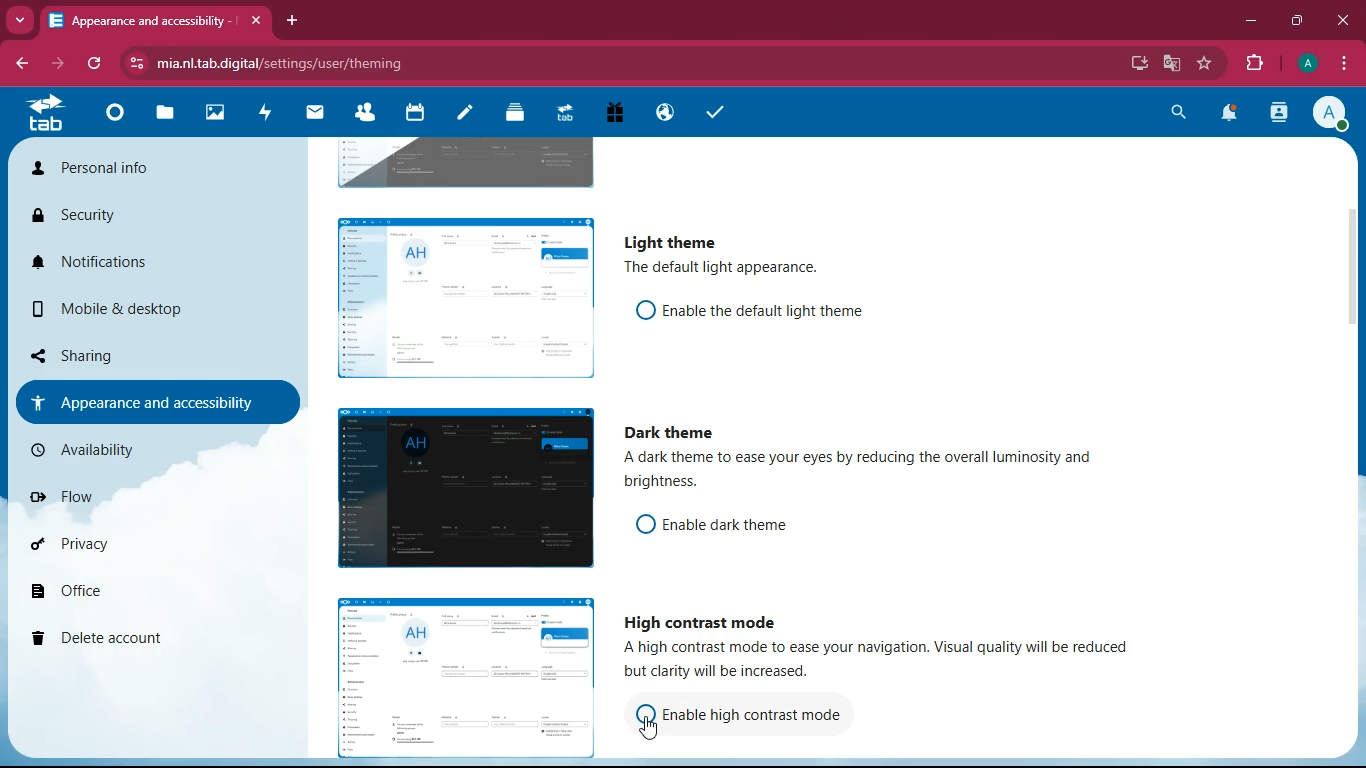  Describe the element at coordinates (711, 112) in the screenshot. I see `task` at that location.